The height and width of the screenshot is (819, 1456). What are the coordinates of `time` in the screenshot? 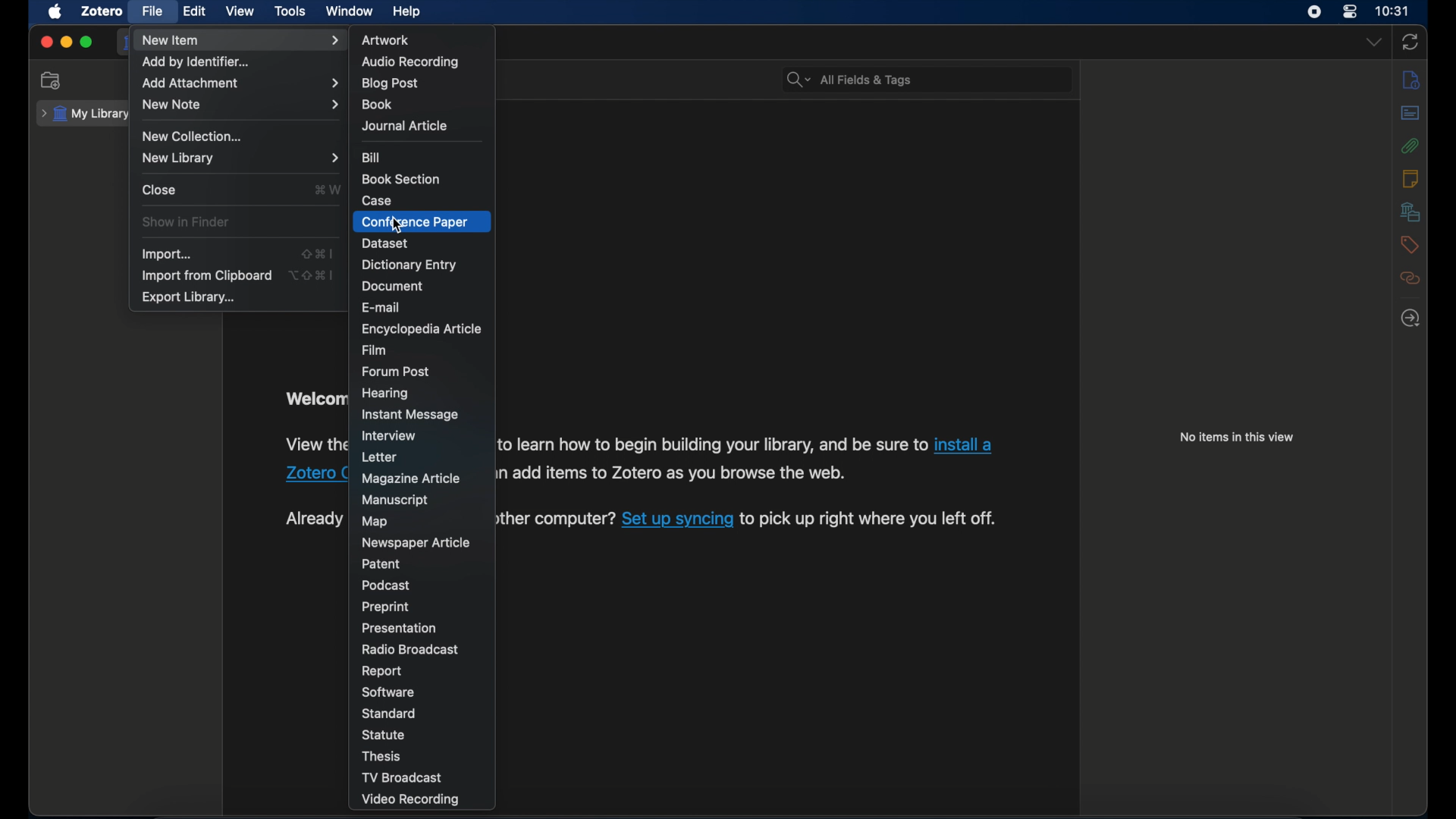 It's located at (1393, 11).